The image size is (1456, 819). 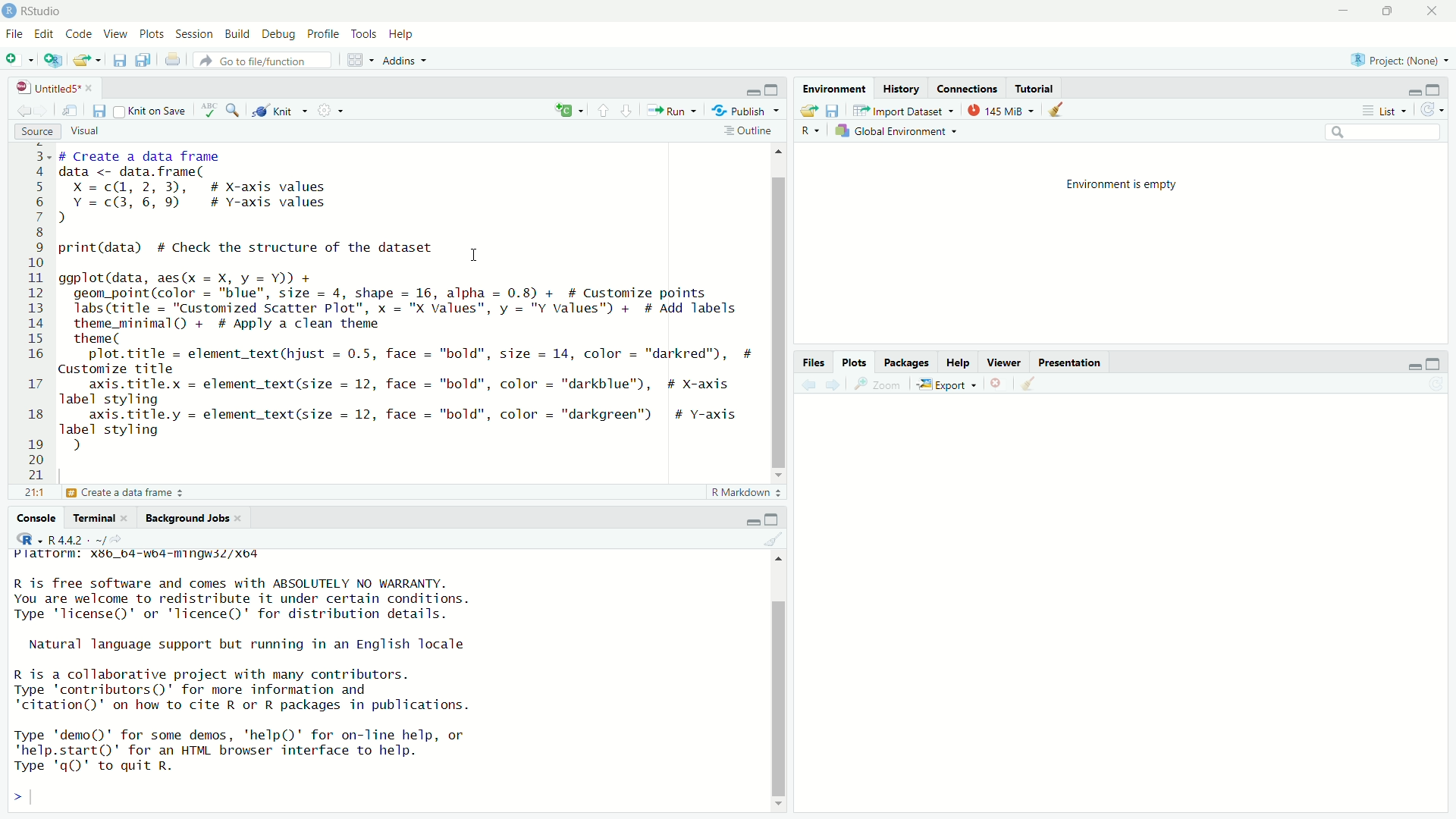 I want to click on # Create a data frame
data <- data.frame(
X =c@, 2, 3), # X-axis values
Y =c@, 6, 9) # Y-axis values
d
print(data) # Check the structure of the dataset 1
ggplot(data, aes(x = X, y = Y)) +
geom_point(color = "blue", size = 4, shape = 16, alpha = 0.8) + # Customize points
labs (title = "Customized Scatter Plot", x = "X values", y = "Y values") + # Add labels
theme_minimal() + # Apply a clean theme
theme (
plot.title = element_text(hjust = 0.5, face = "bold", size = 14, color = "darkred"), #
Customize title
axis.title.x = element_text(size = 12, face = "bold", color = "darkblue"), # X-axis
label styling
axis.title.y = element_text(size = 12, face = "bold", color = "darkgreen") # Y-axis
label styling
d, so click(x=406, y=309).